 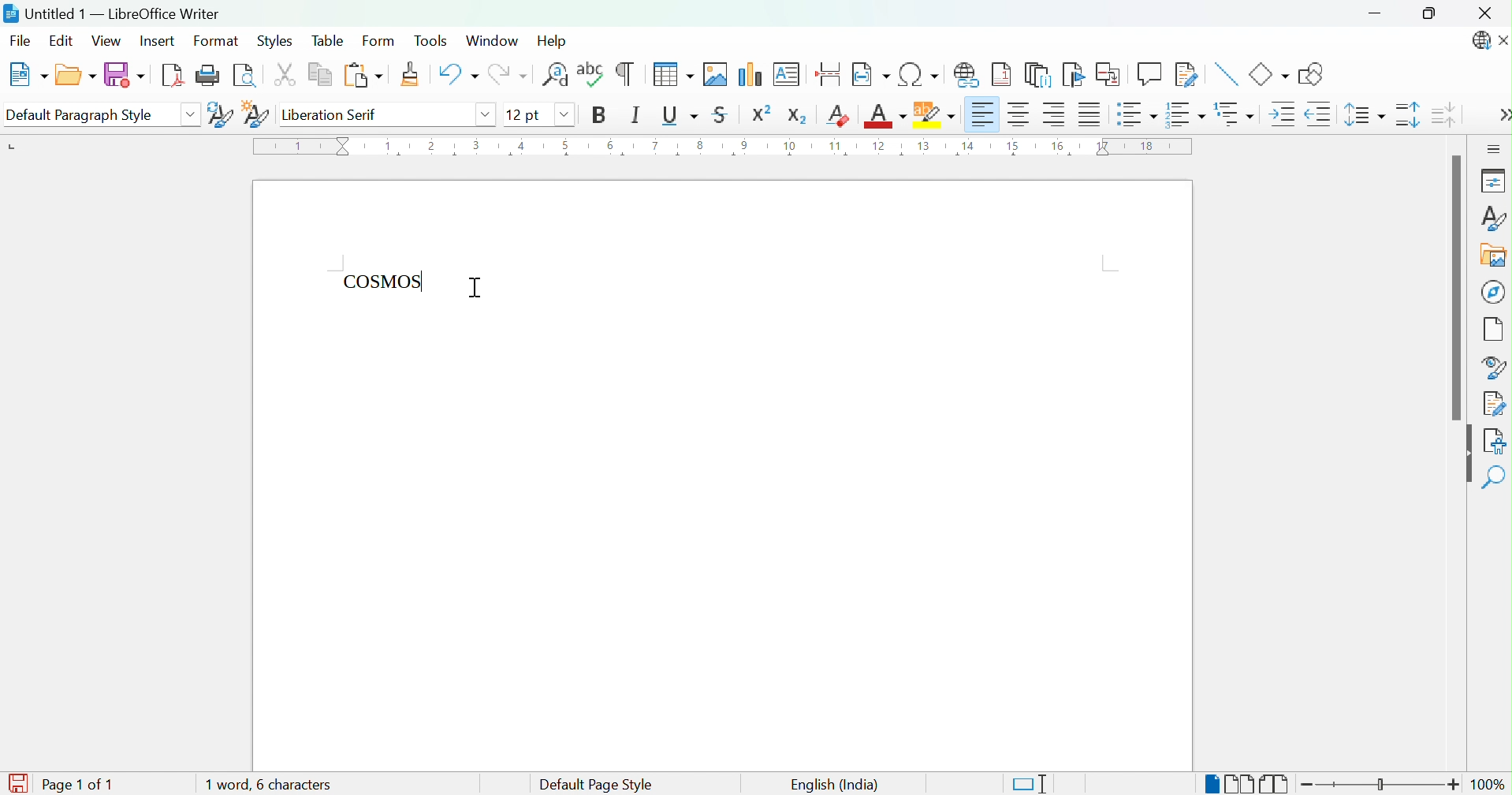 I want to click on Character Highlighting Color, so click(x=932, y=114).